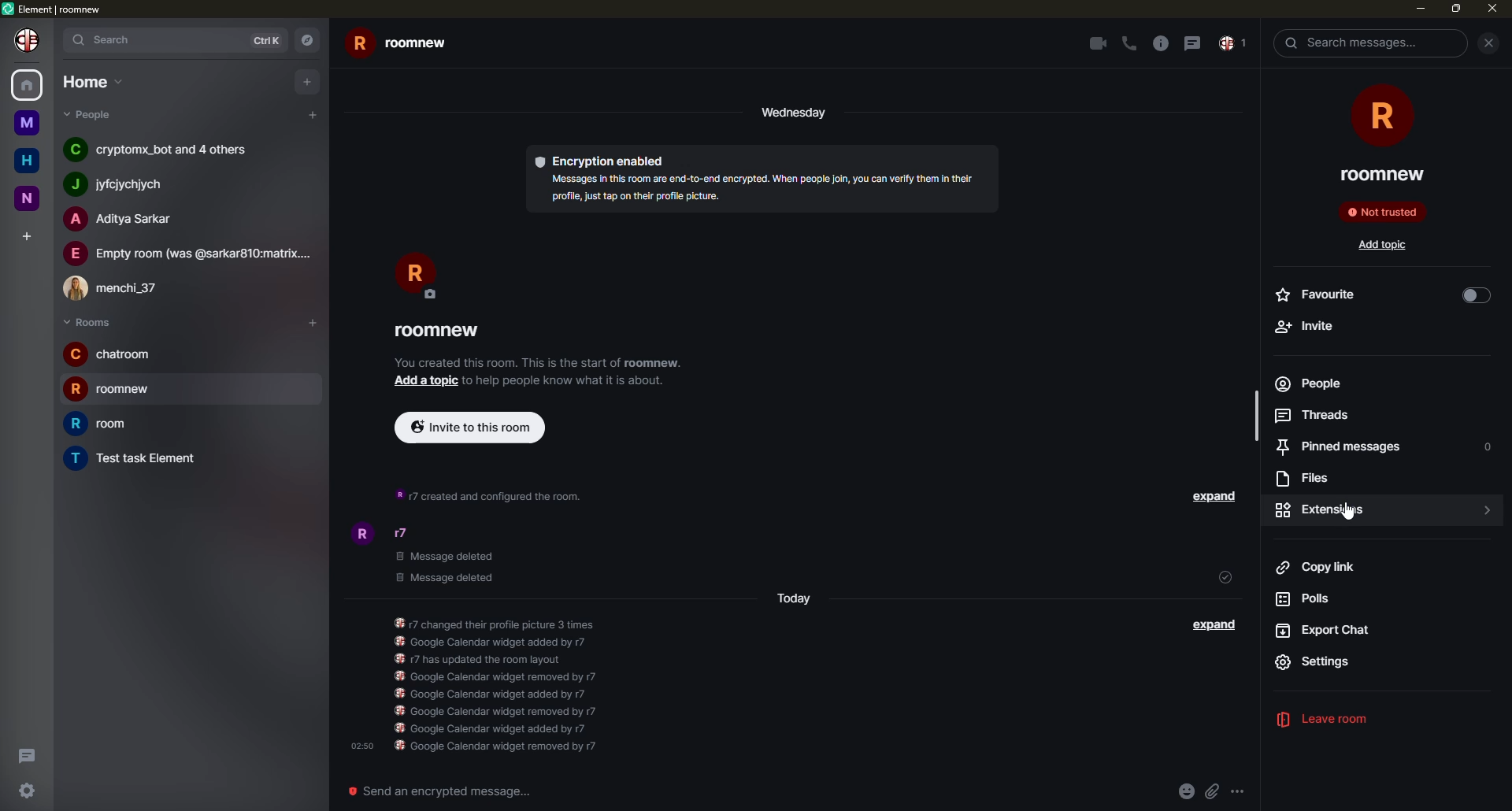 The height and width of the screenshot is (811, 1512). I want to click on people, so click(90, 114).